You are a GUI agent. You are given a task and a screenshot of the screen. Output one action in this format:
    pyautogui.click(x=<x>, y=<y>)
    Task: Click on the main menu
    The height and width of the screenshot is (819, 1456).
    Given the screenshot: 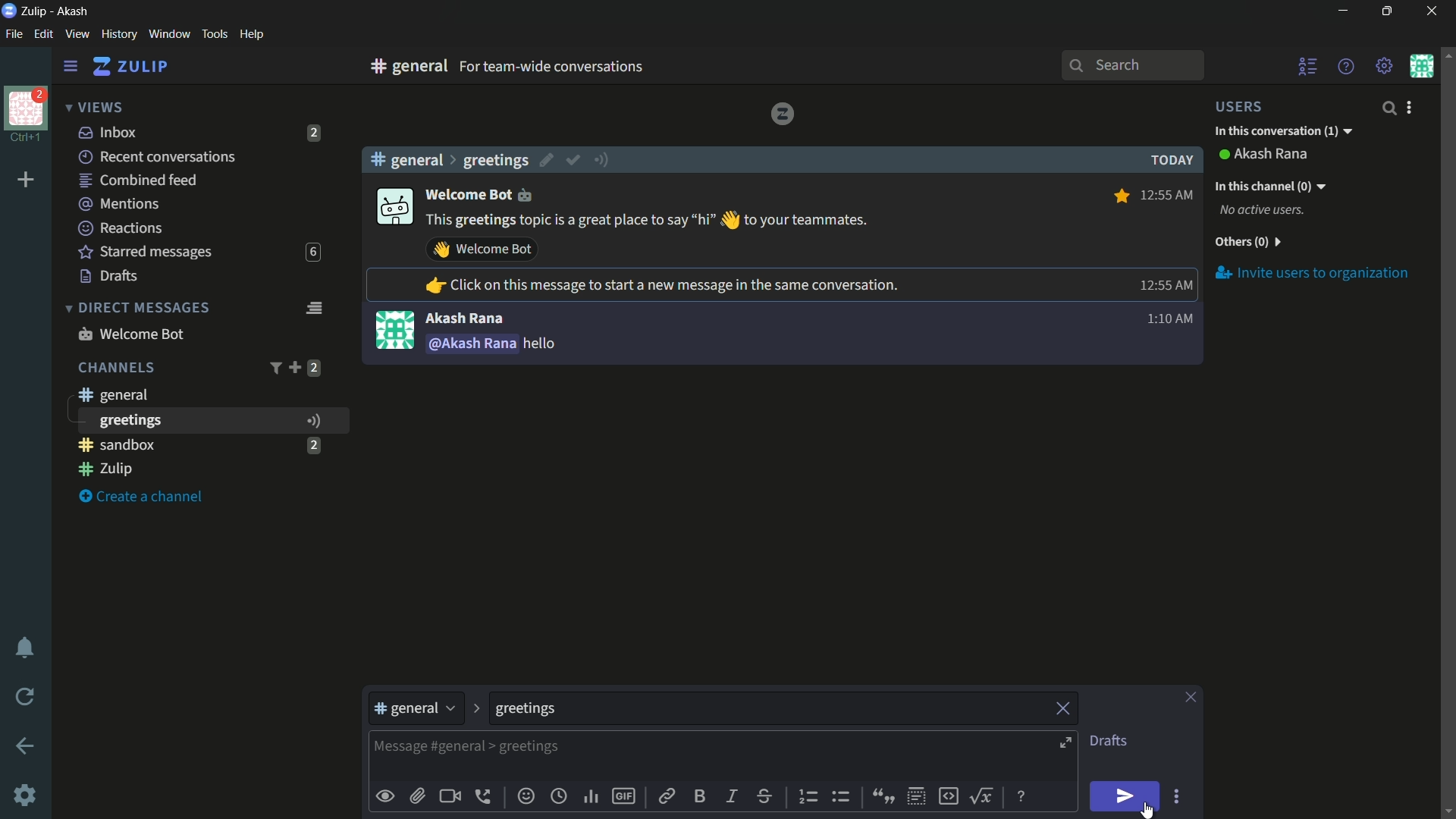 What is the action you would take?
    pyautogui.click(x=1385, y=66)
    